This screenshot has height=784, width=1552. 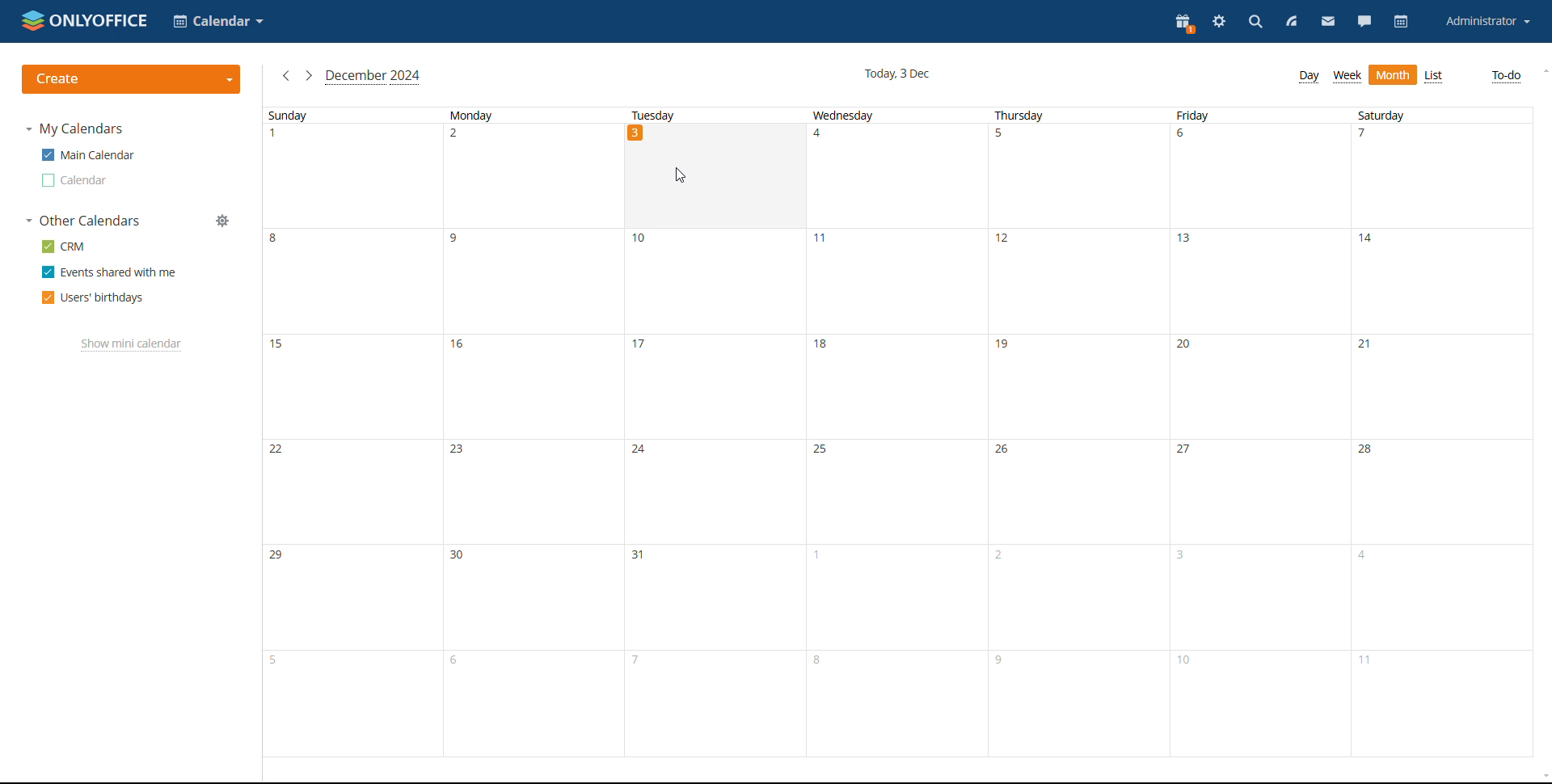 I want to click on scroll down, so click(x=1542, y=776).